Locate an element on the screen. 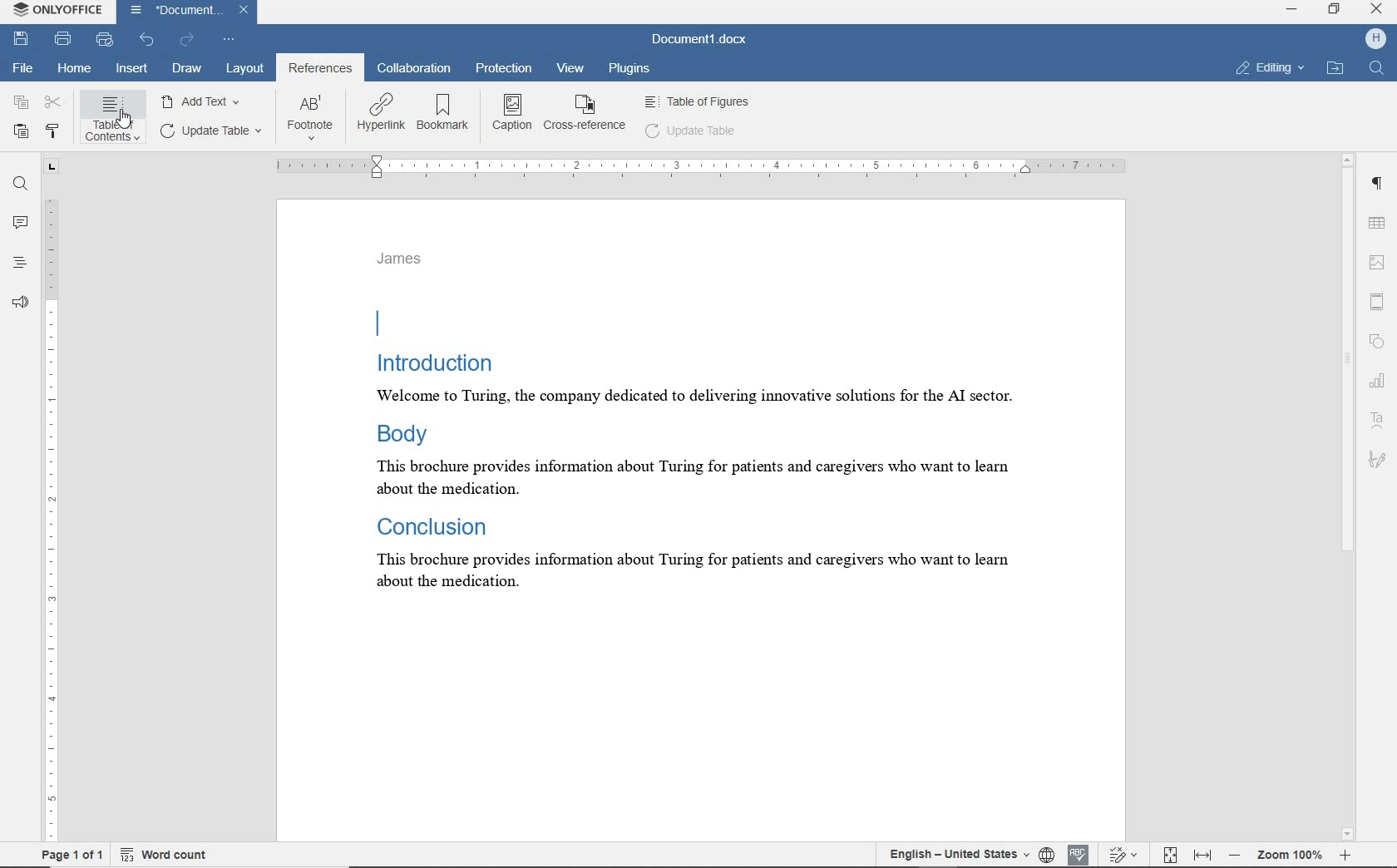 The width and height of the screenshot is (1397, 868). copy is located at coordinates (19, 103).